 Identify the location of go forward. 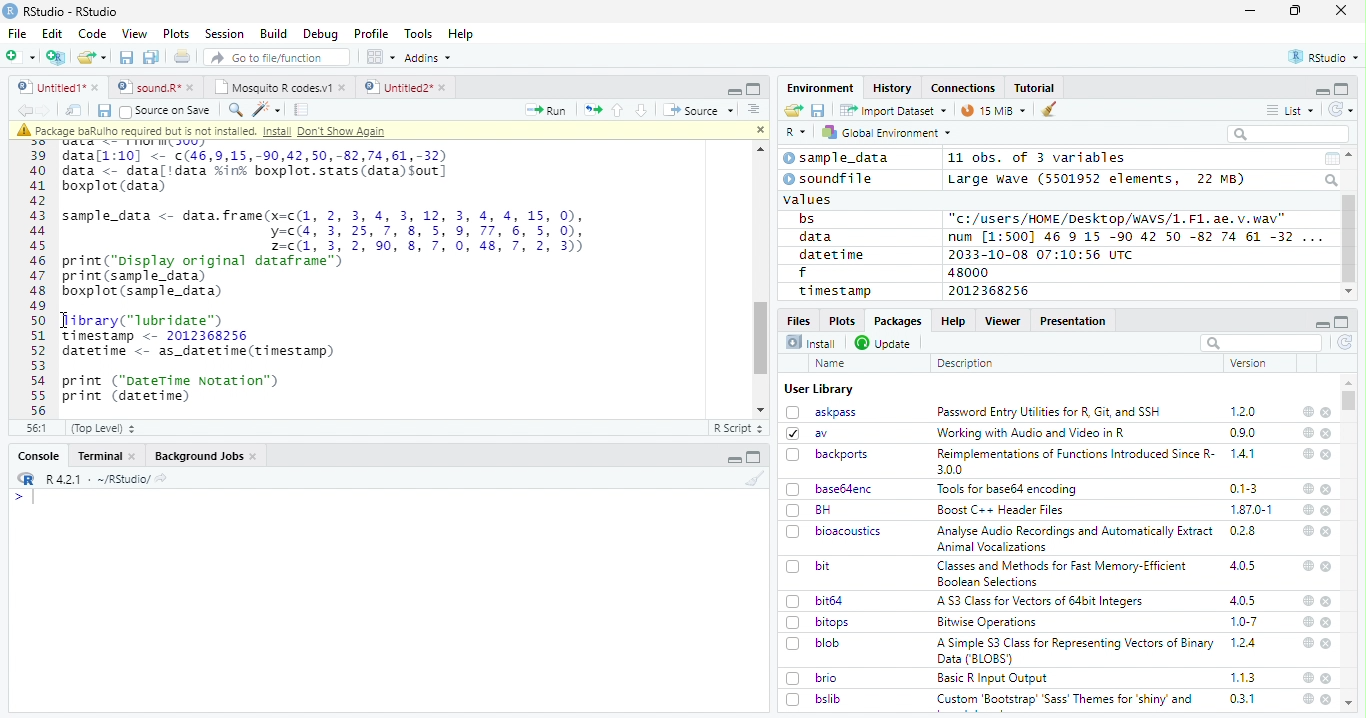
(48, 110).